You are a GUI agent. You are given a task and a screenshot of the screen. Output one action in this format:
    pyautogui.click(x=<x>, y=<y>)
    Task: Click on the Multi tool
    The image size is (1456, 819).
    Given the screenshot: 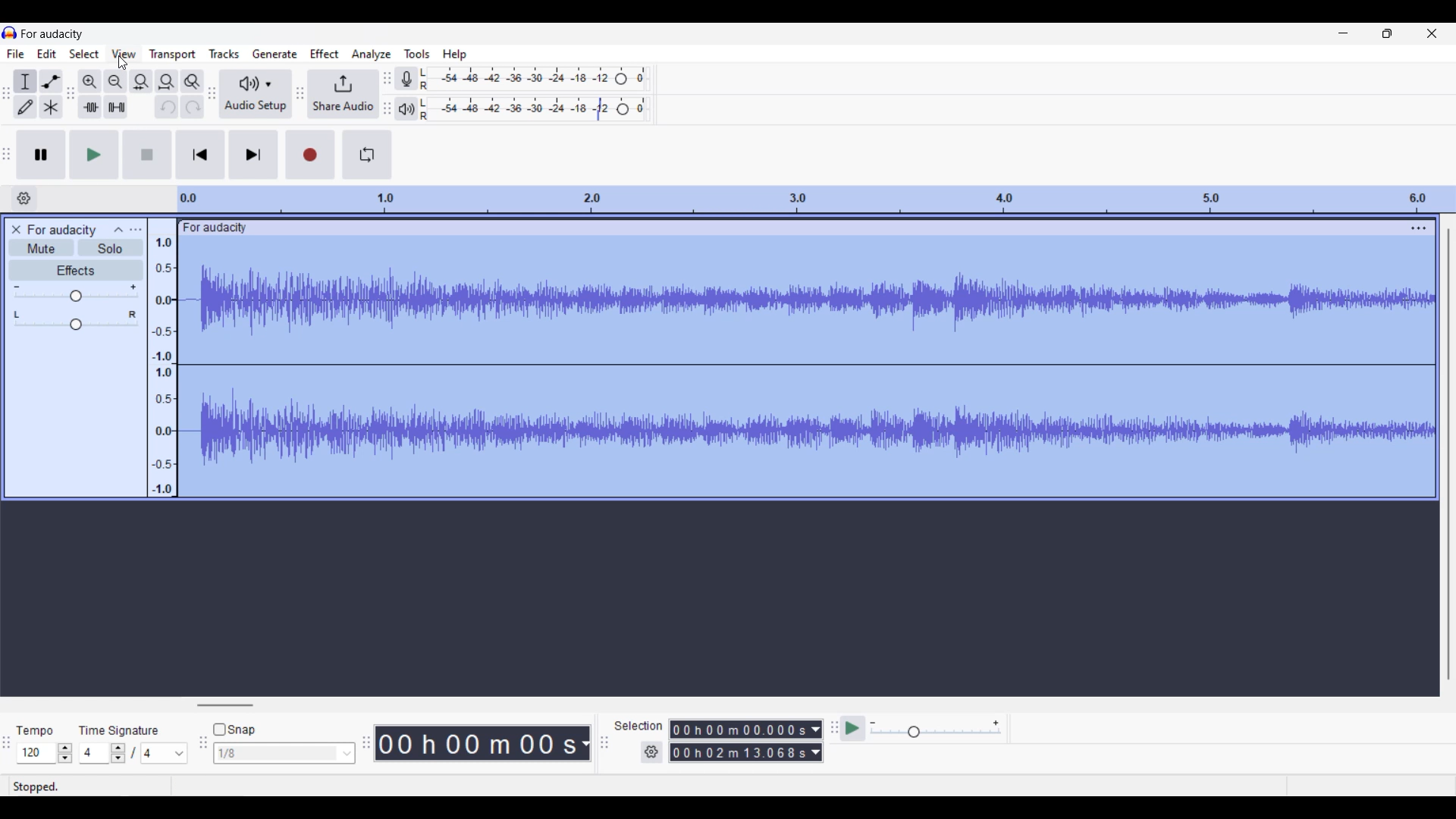 What is the action you would take?
    pyautogui.click(x=51, y=107)
    